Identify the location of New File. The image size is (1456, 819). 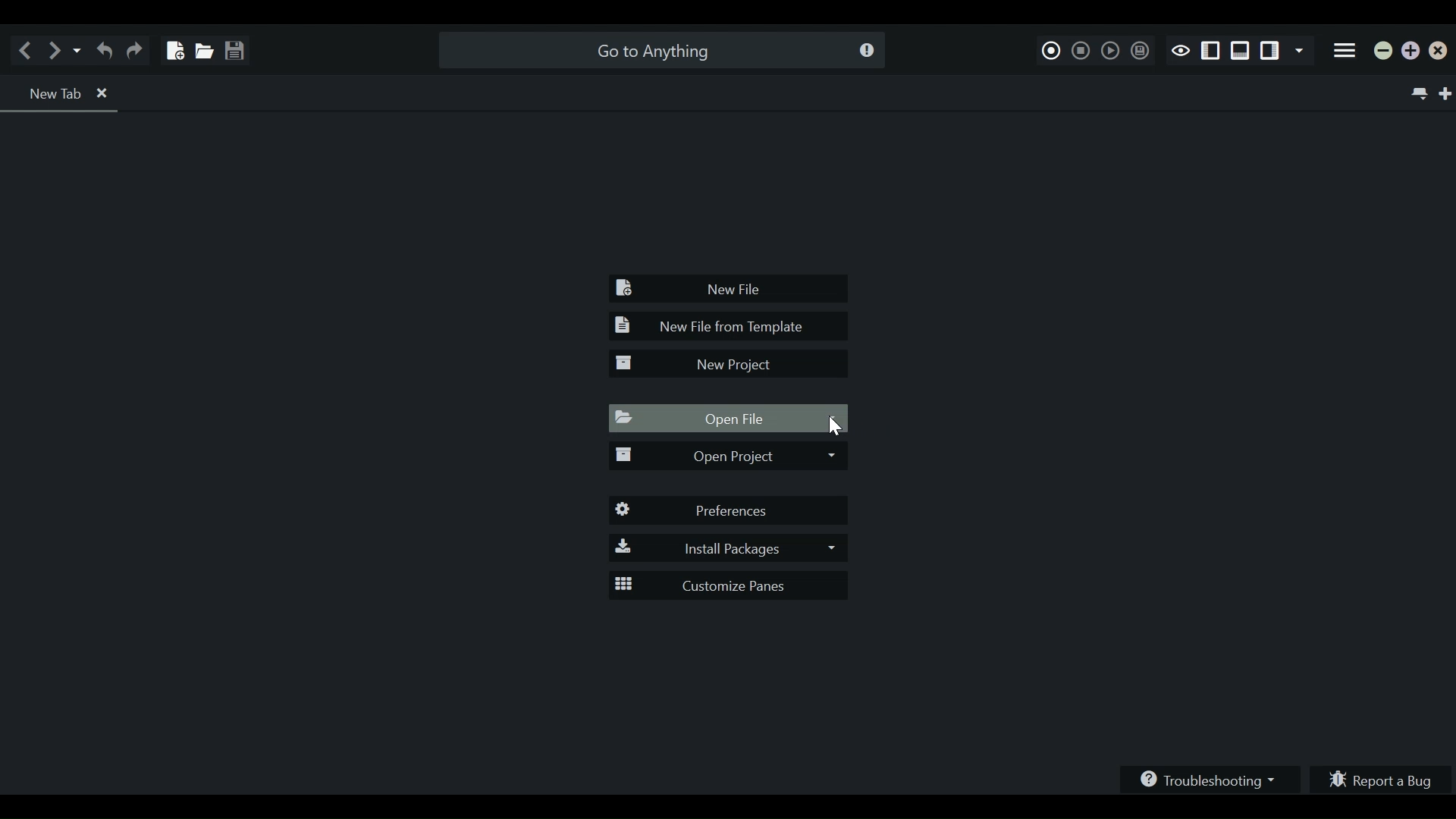
(172, 45).